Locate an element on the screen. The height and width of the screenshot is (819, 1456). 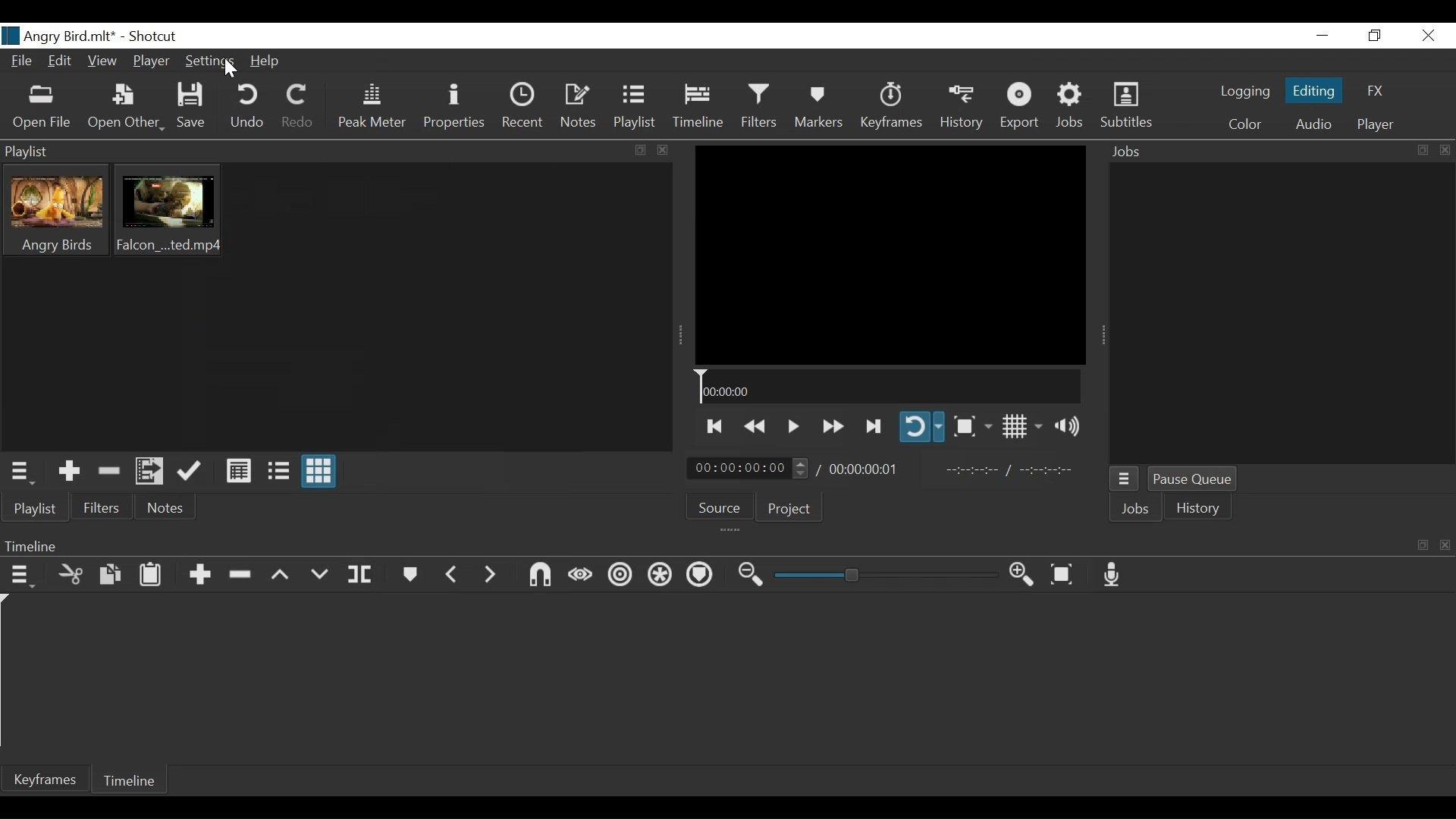
Add files to the playlist is located at coordinates (149, 472).